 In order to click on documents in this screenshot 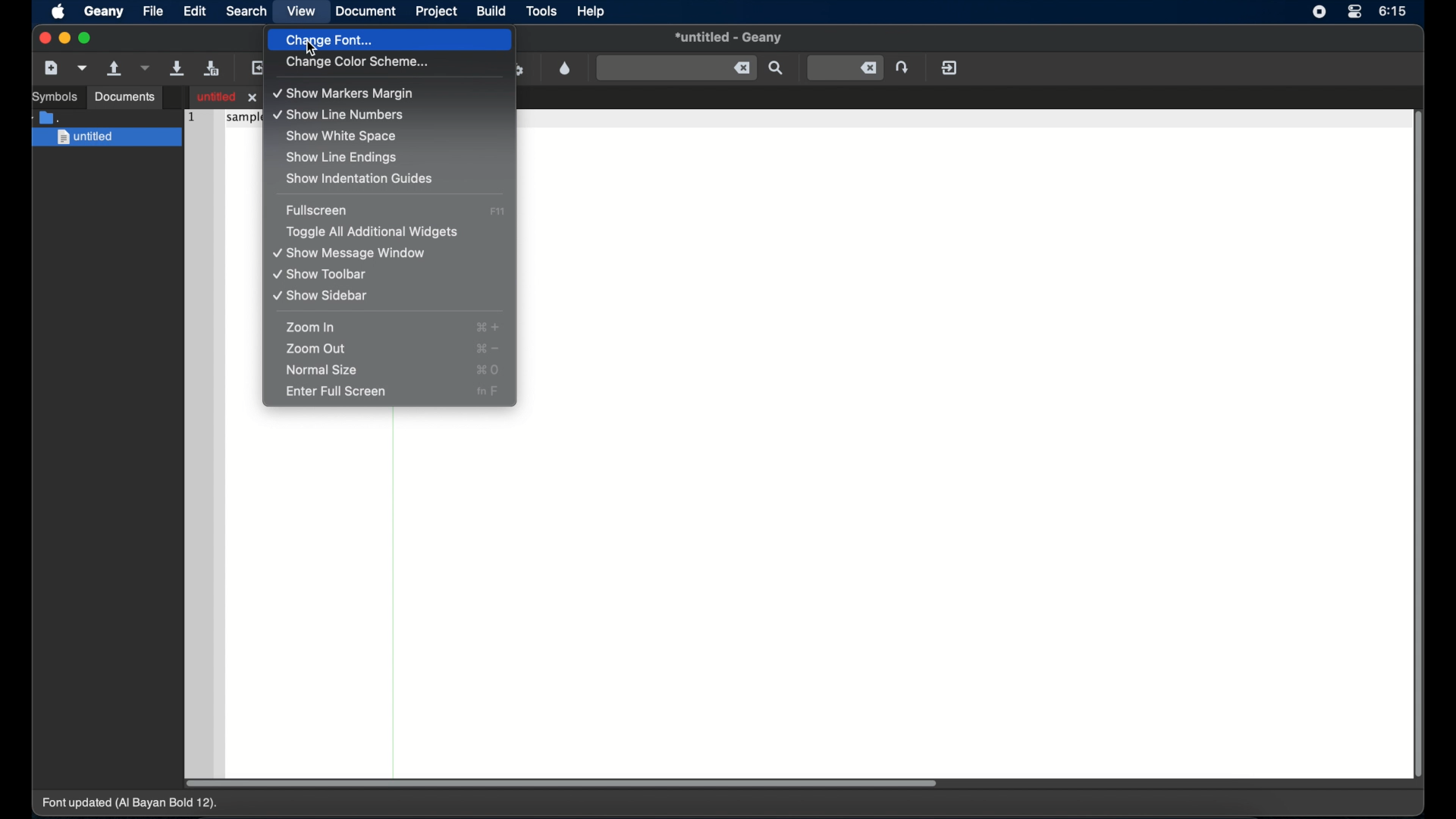, I will do `click(49, 116)`.